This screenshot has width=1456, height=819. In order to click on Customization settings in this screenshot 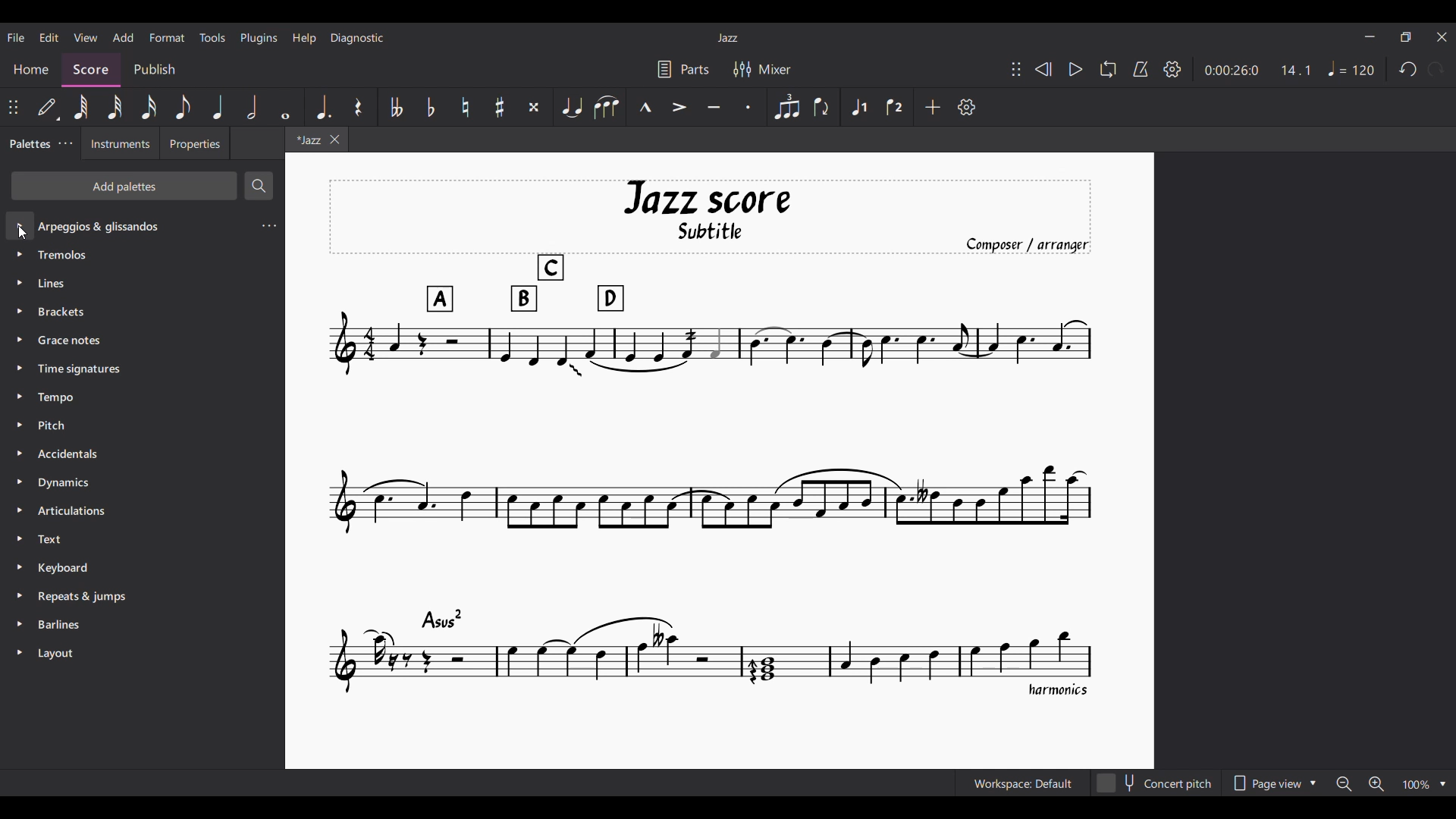, I will do `click(967, 107)`.